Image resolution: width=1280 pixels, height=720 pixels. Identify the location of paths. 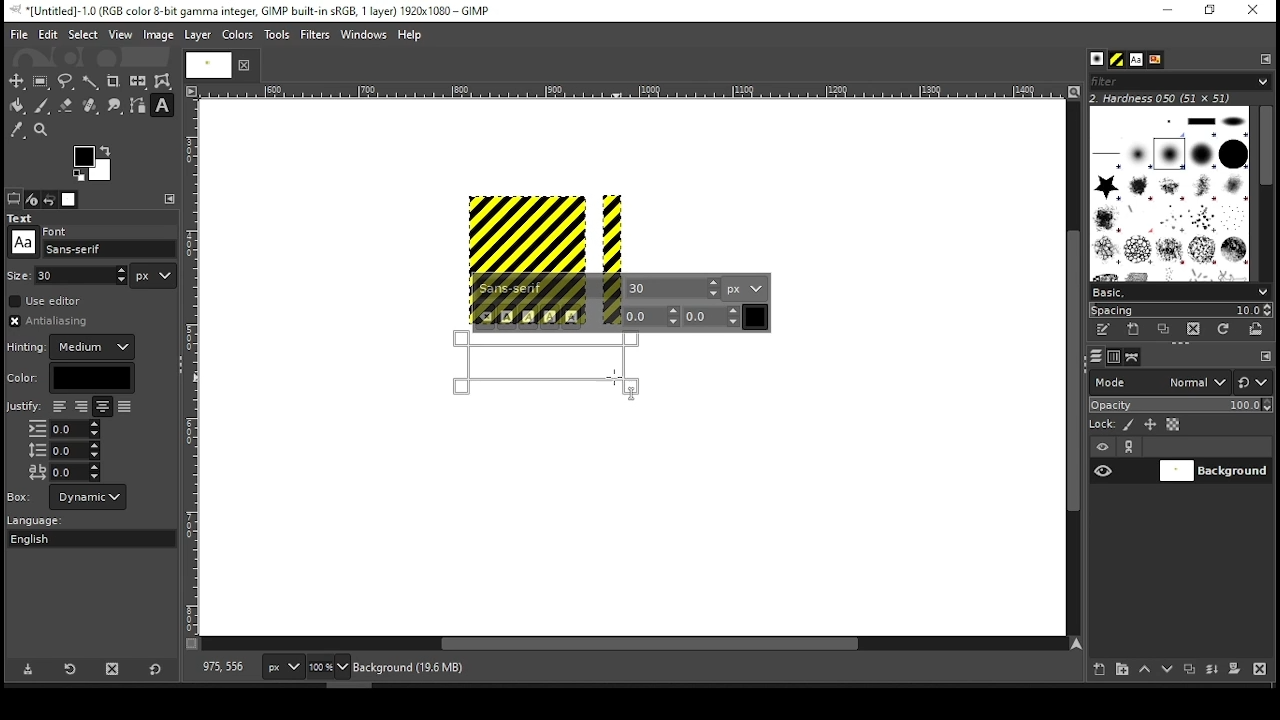
(1135, 356).